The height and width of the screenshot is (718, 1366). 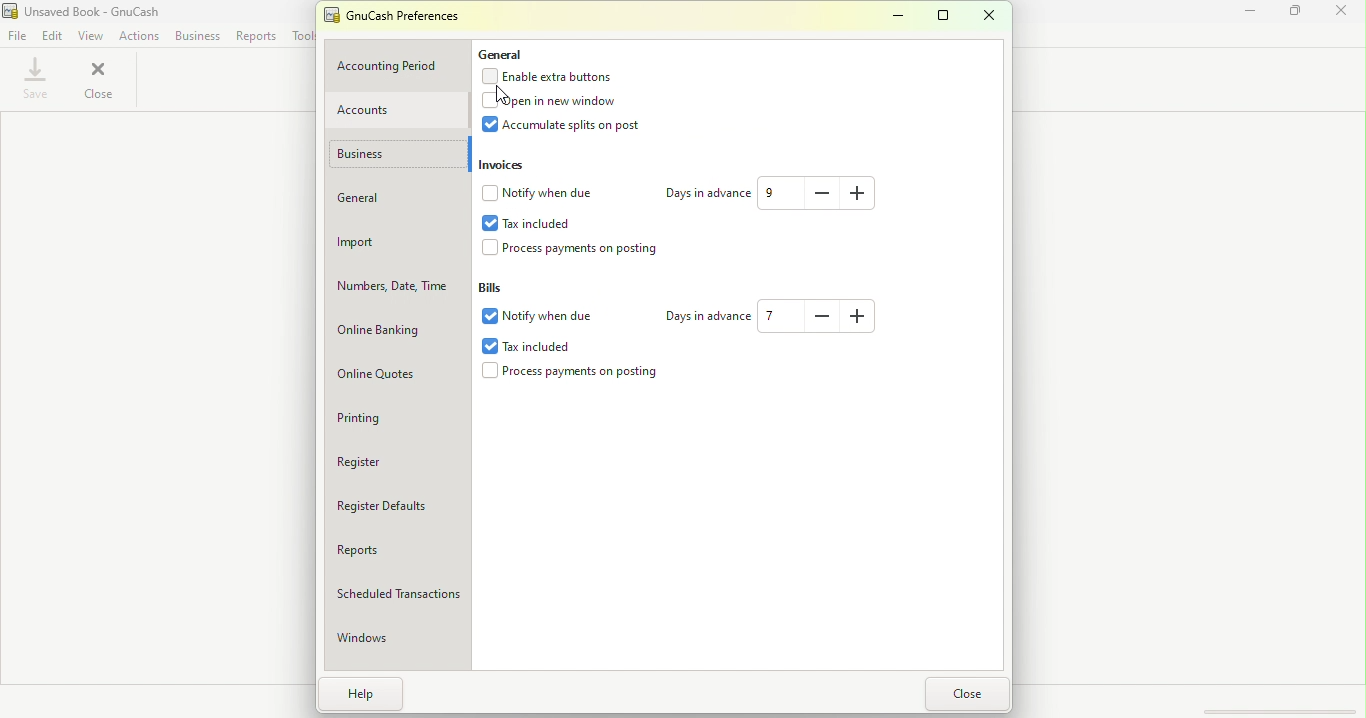 What do you see at coordinates (1248, 13) in the screenshot?
I see `Minimize` at bounding box center [1248, 13].